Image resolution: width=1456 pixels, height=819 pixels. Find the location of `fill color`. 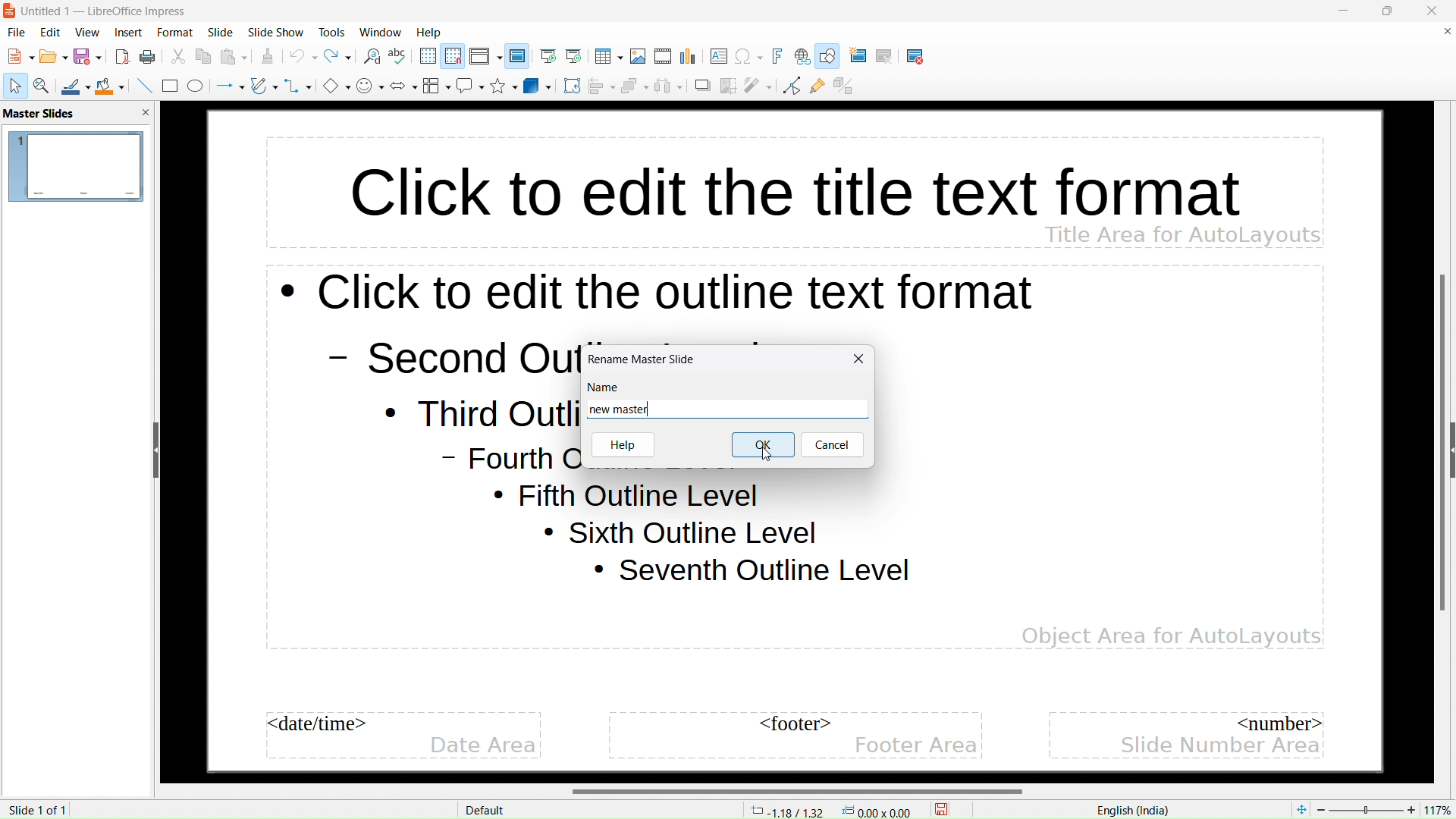

fill color is located at coordinates (111, 86).